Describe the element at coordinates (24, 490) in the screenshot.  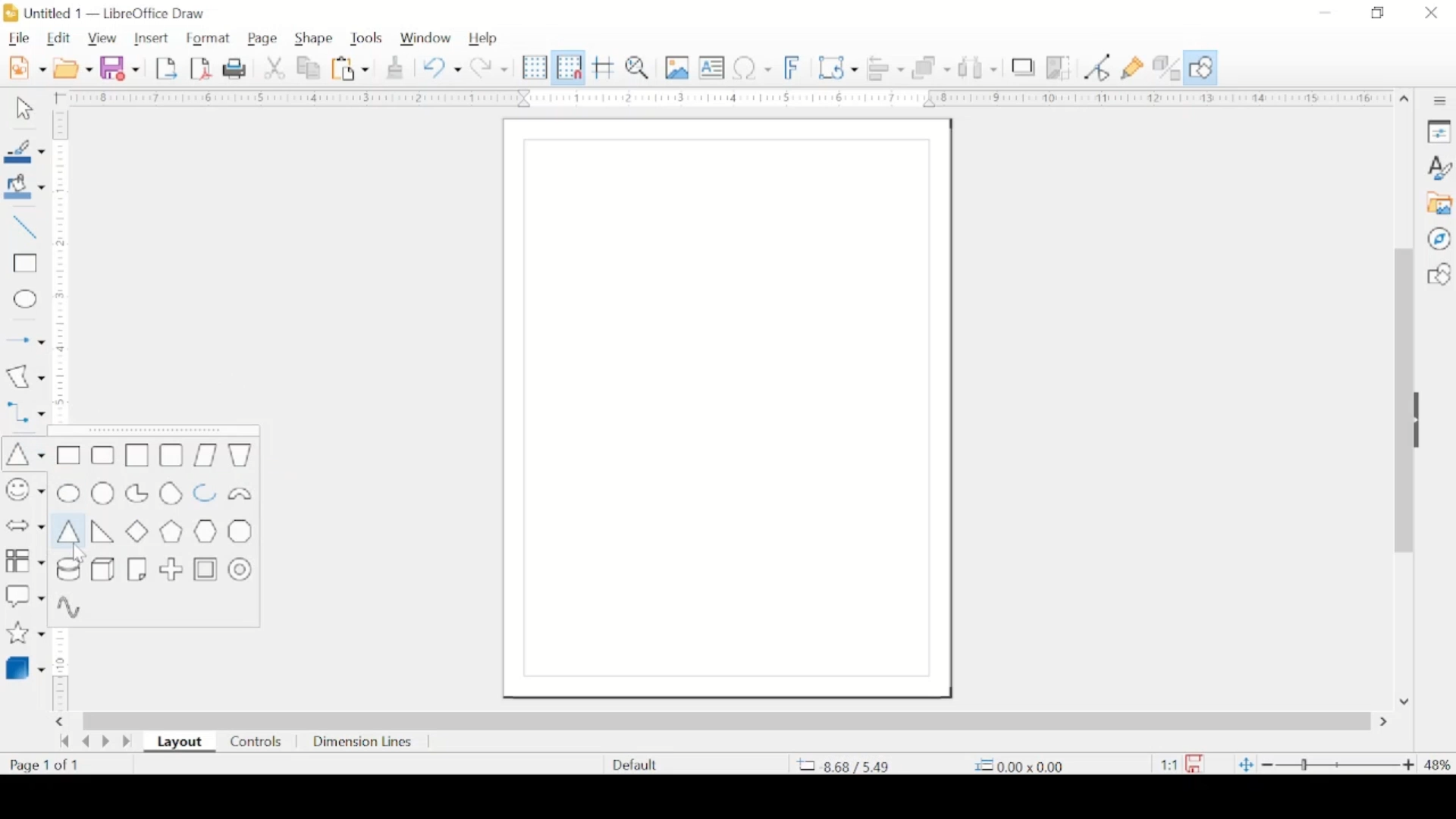
I see `insert symbols and shapes` at that location.